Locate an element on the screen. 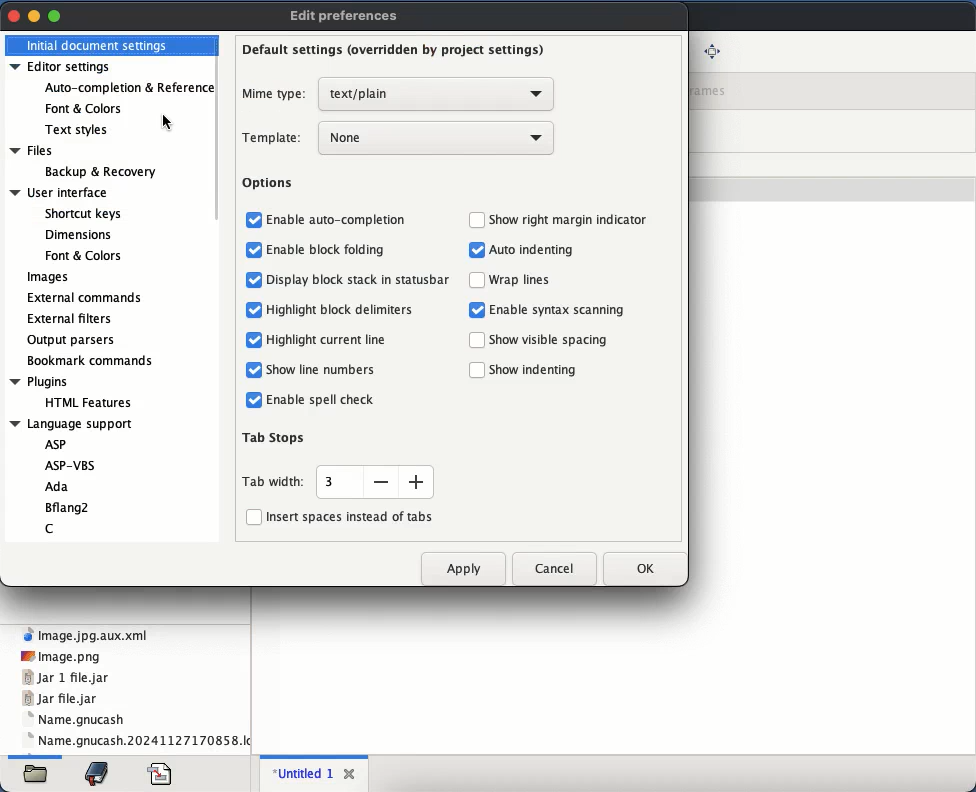  cancel is located at coordinates (554, 570).